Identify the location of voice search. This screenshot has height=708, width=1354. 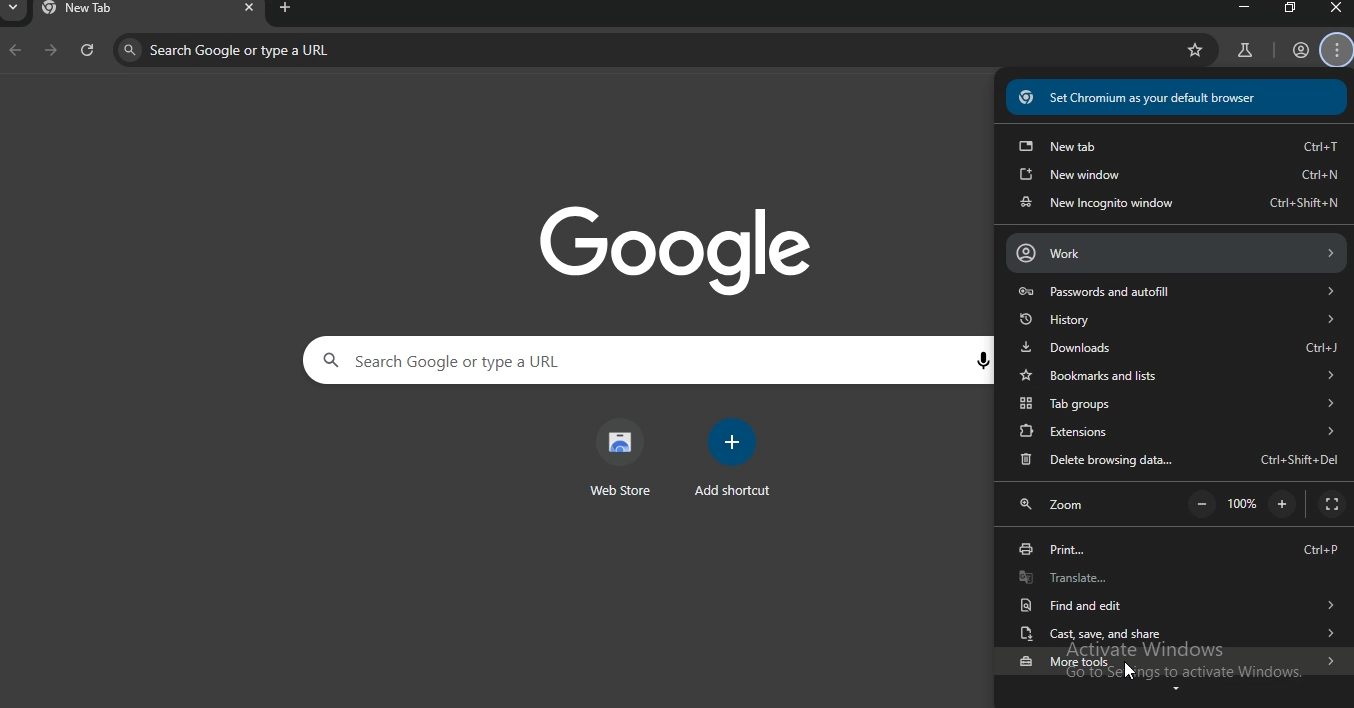
(985, 361).